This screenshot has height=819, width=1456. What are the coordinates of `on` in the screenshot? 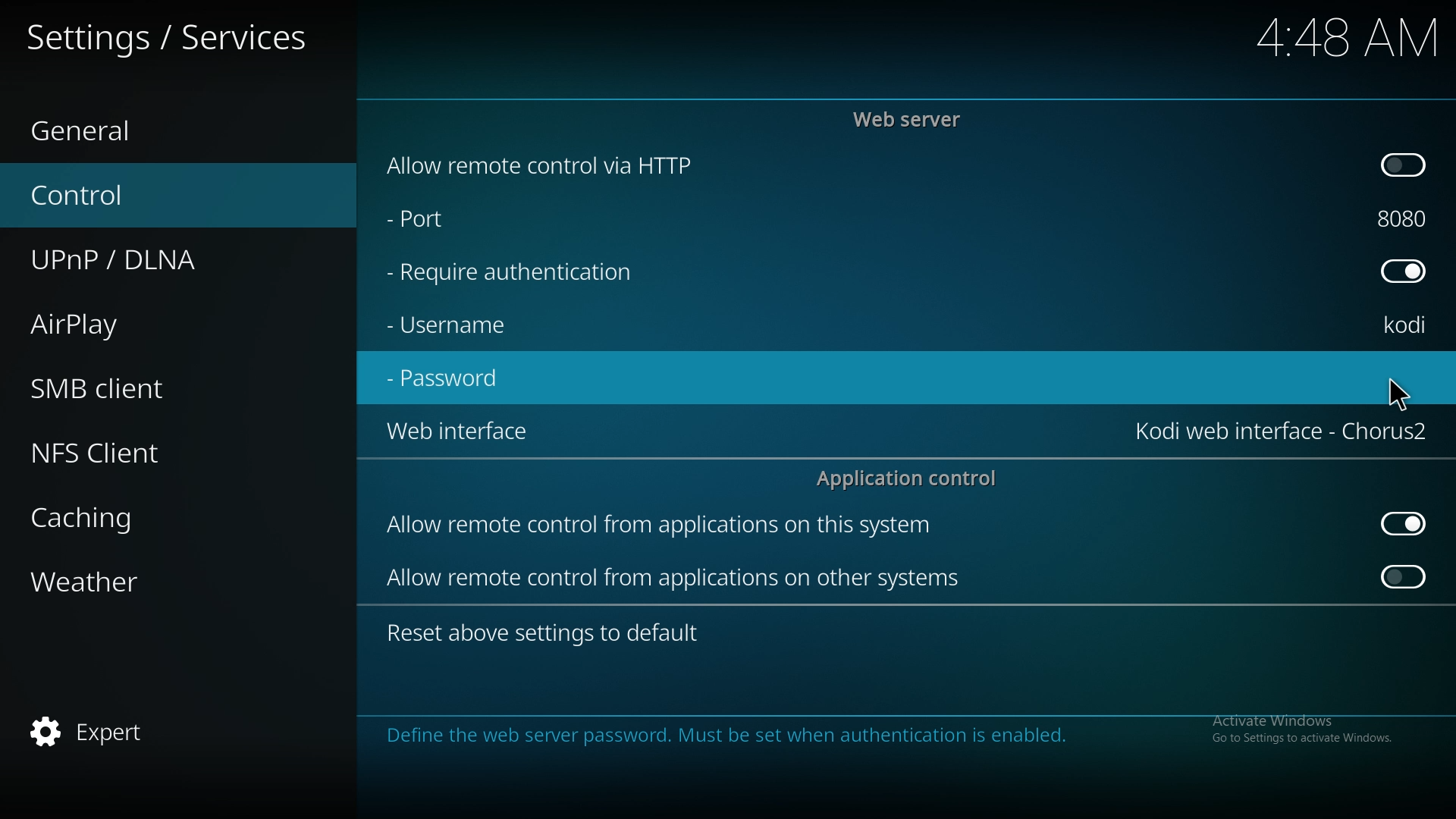 It's located at (1404, 580).